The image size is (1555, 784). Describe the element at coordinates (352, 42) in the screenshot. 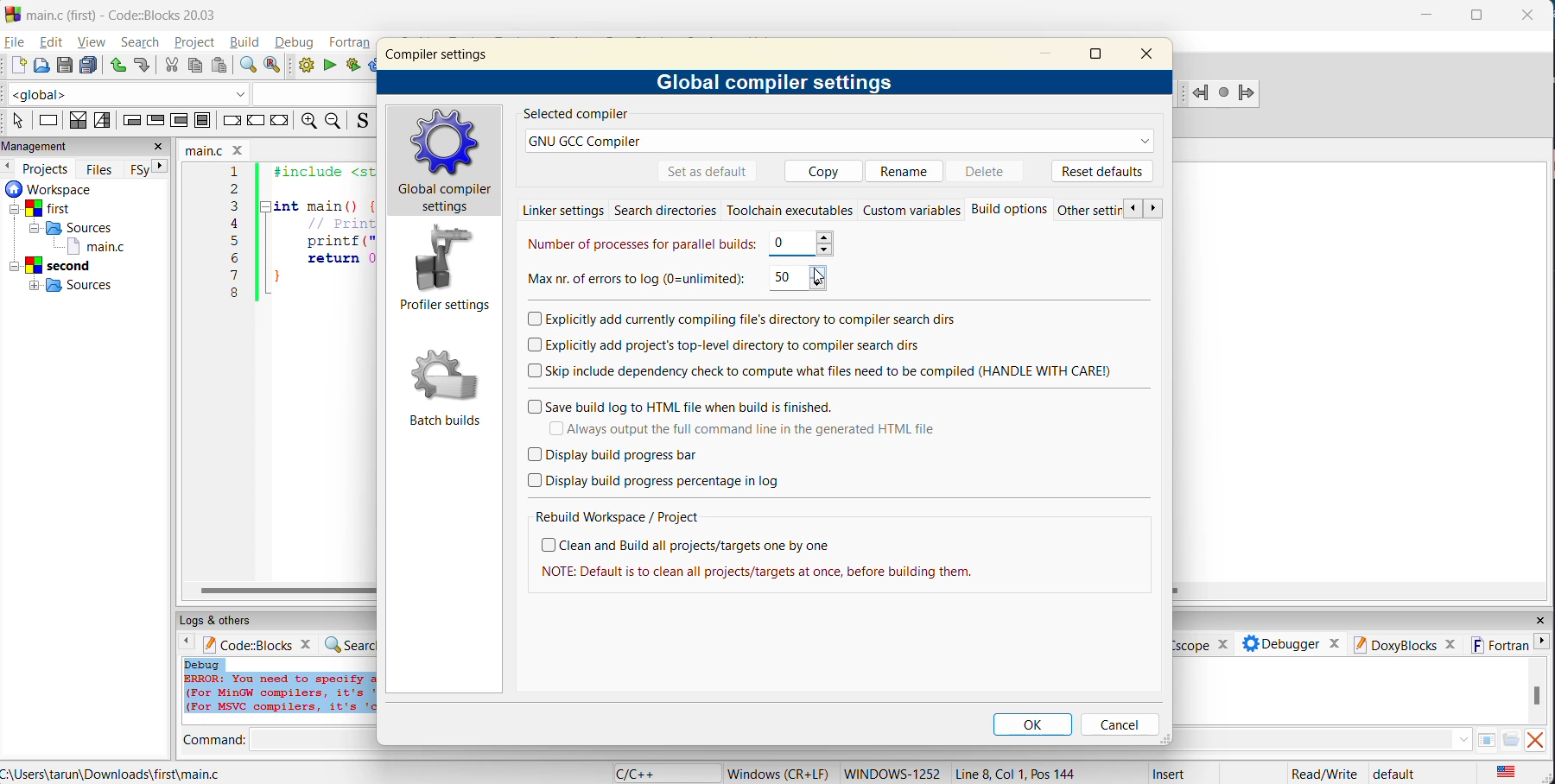

I see `fortran` at that location.